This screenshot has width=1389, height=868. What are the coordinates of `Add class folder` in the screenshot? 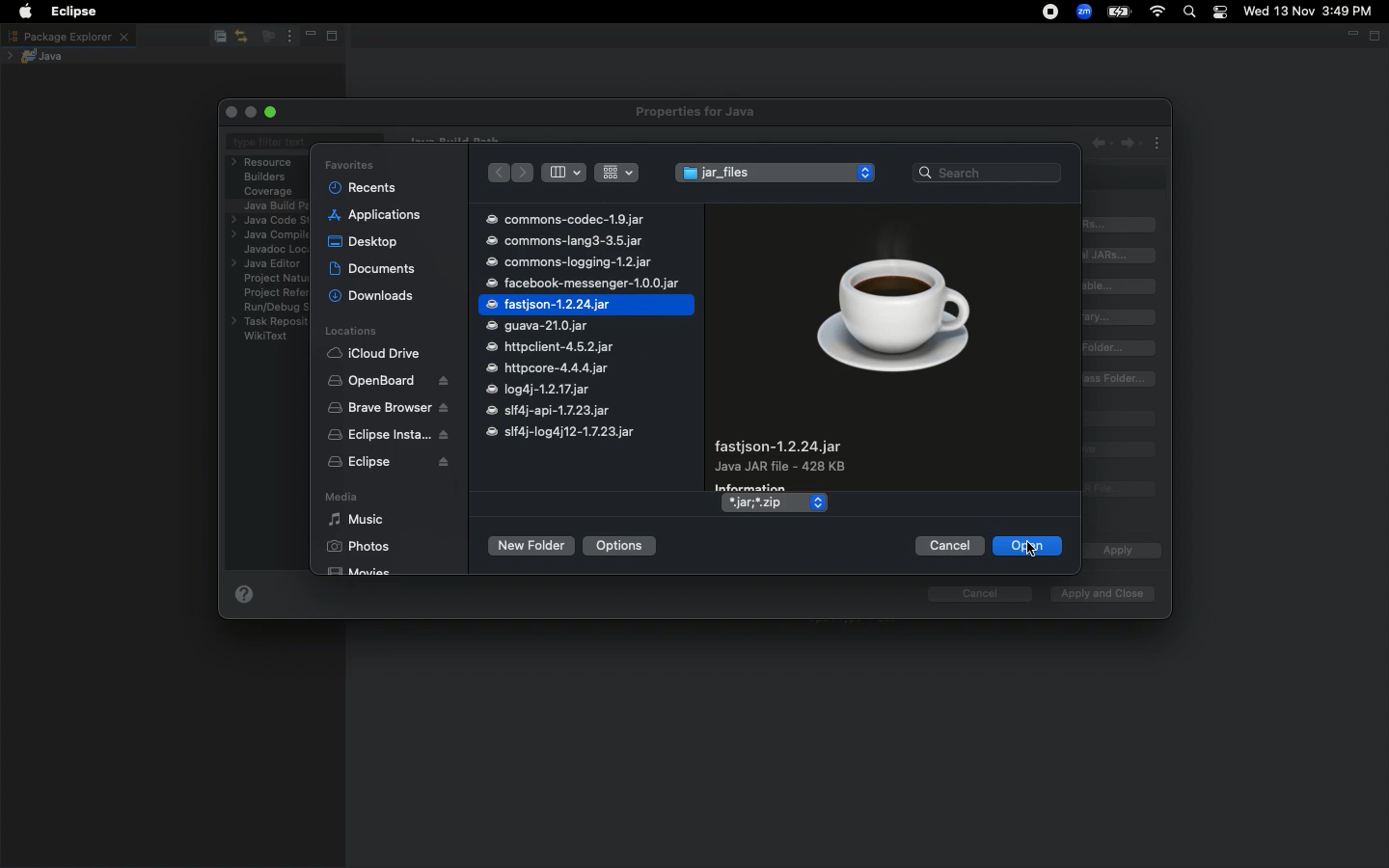 It's located at (1121, 348).